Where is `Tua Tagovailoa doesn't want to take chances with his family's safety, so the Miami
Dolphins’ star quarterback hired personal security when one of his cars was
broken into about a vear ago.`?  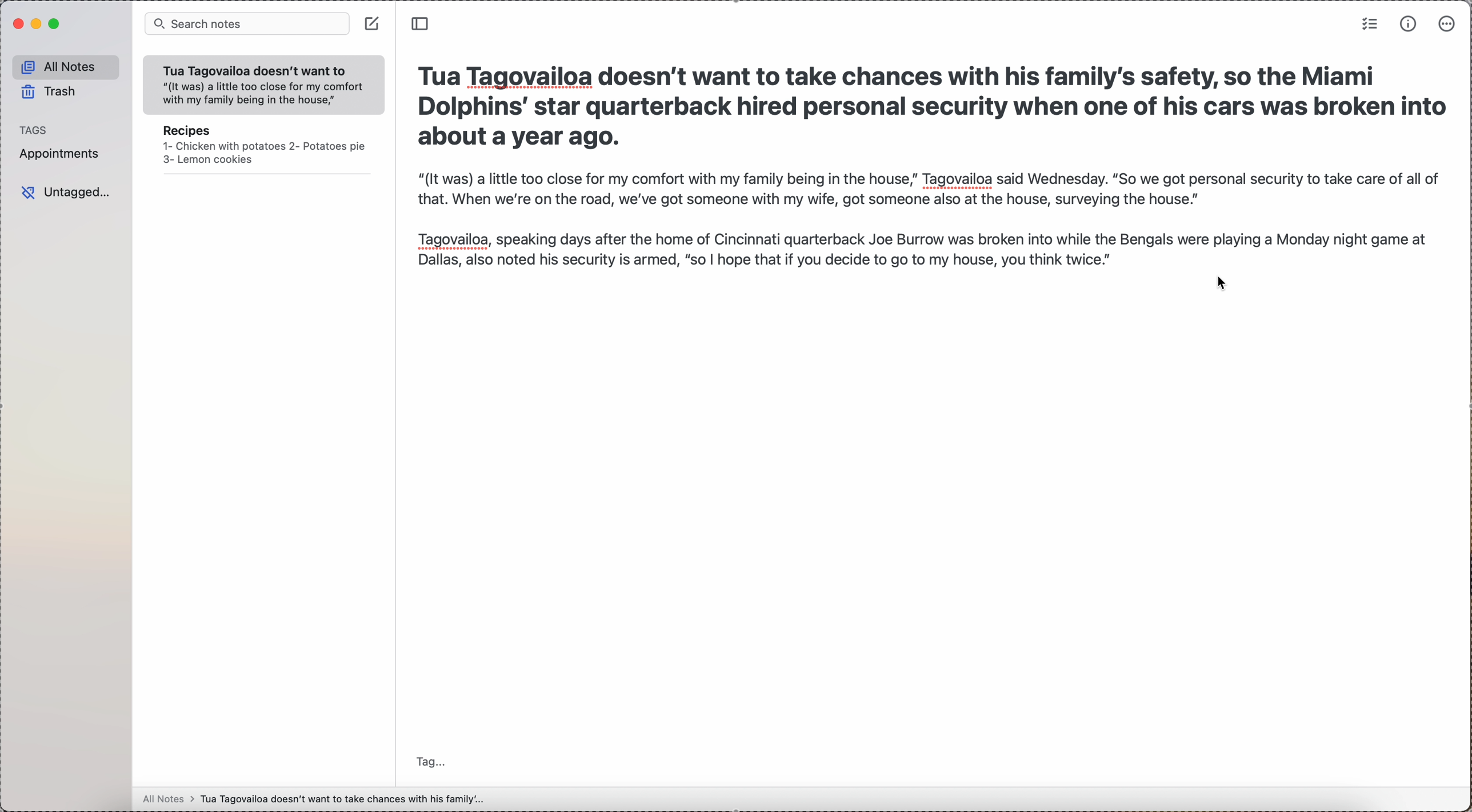 Tua Tagovailoa doesn't want to take chances with his family's safety, so the Miami
Dolphins’ star quarterback hired personal security when one of his cars was
broken into about a vear ago. is located at coordinates (928, 108).